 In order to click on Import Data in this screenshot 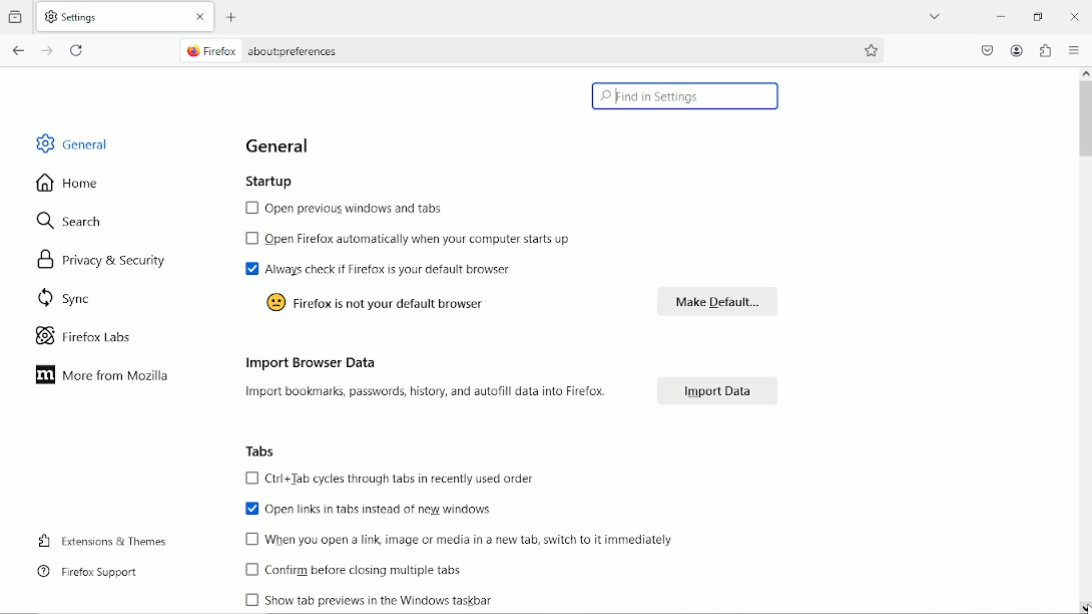, I will do `click(717, 390)`.